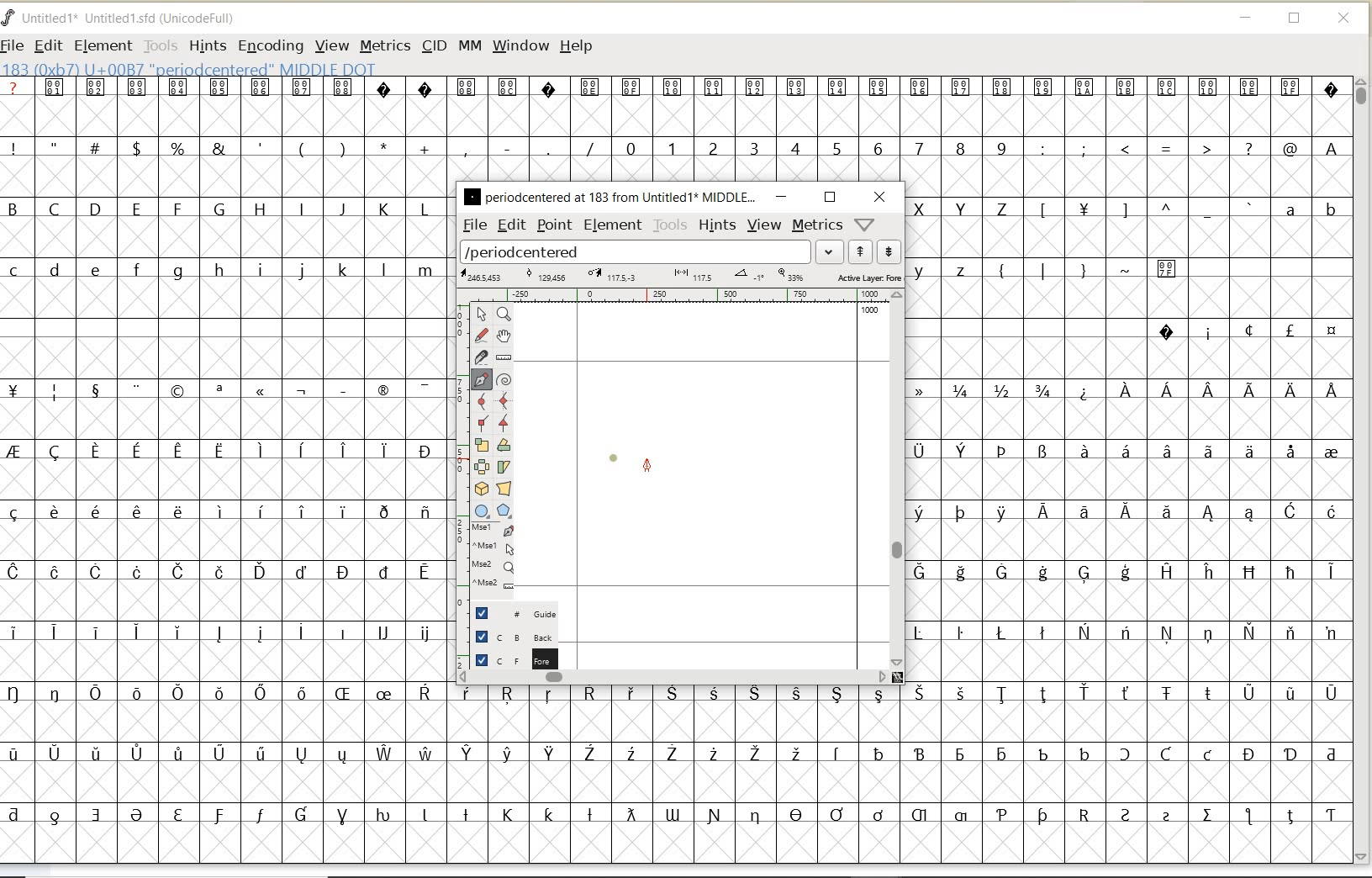  Describe the element at coordinates (504, 445) in the screenshot. I see `Rotate the selection` at that location.